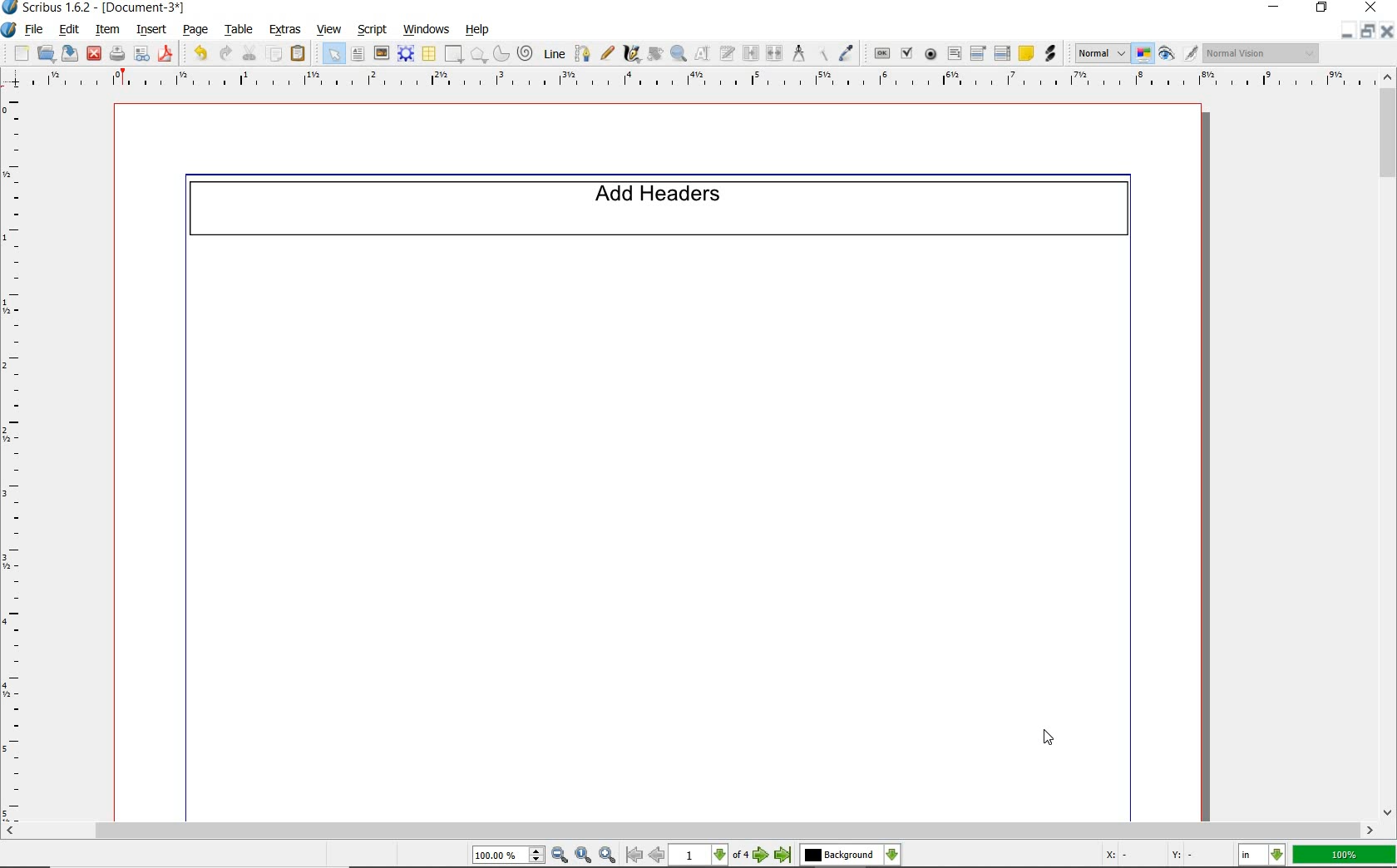 The image size is (1397, 868). I want to click on paste, so click(301, 55).